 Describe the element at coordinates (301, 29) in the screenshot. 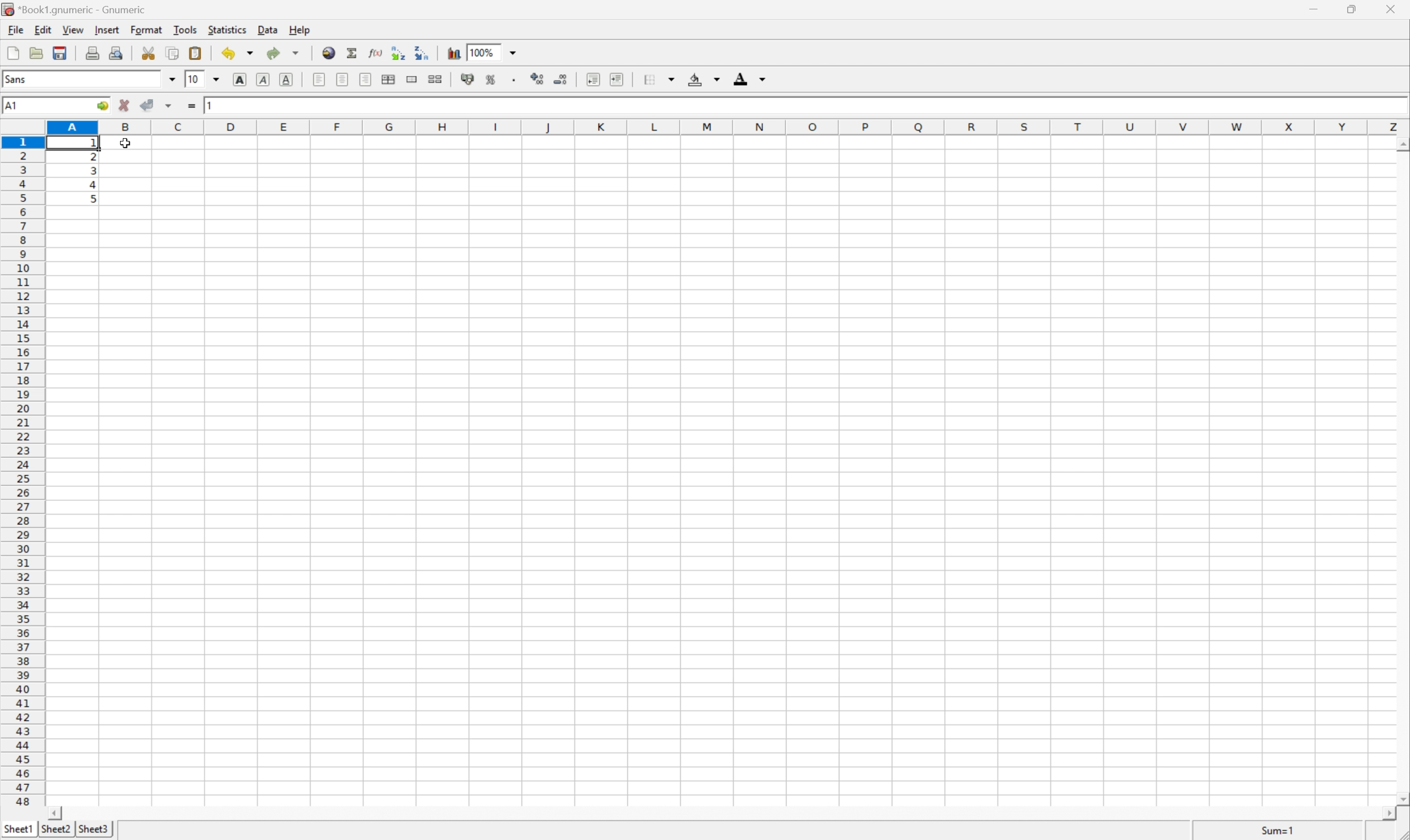

I see `Help` at that location.